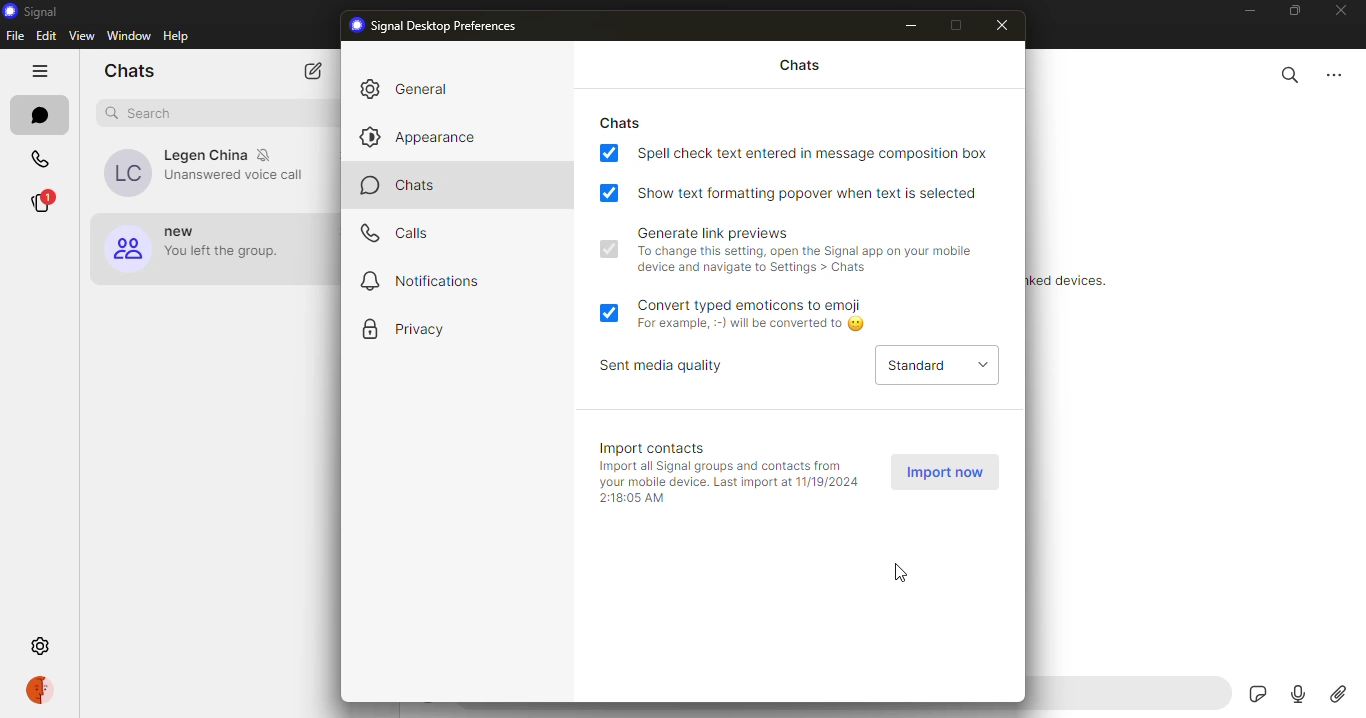  Describe the element at coordinates (314, 69) in the screenshot. I see `new chat` at that location.